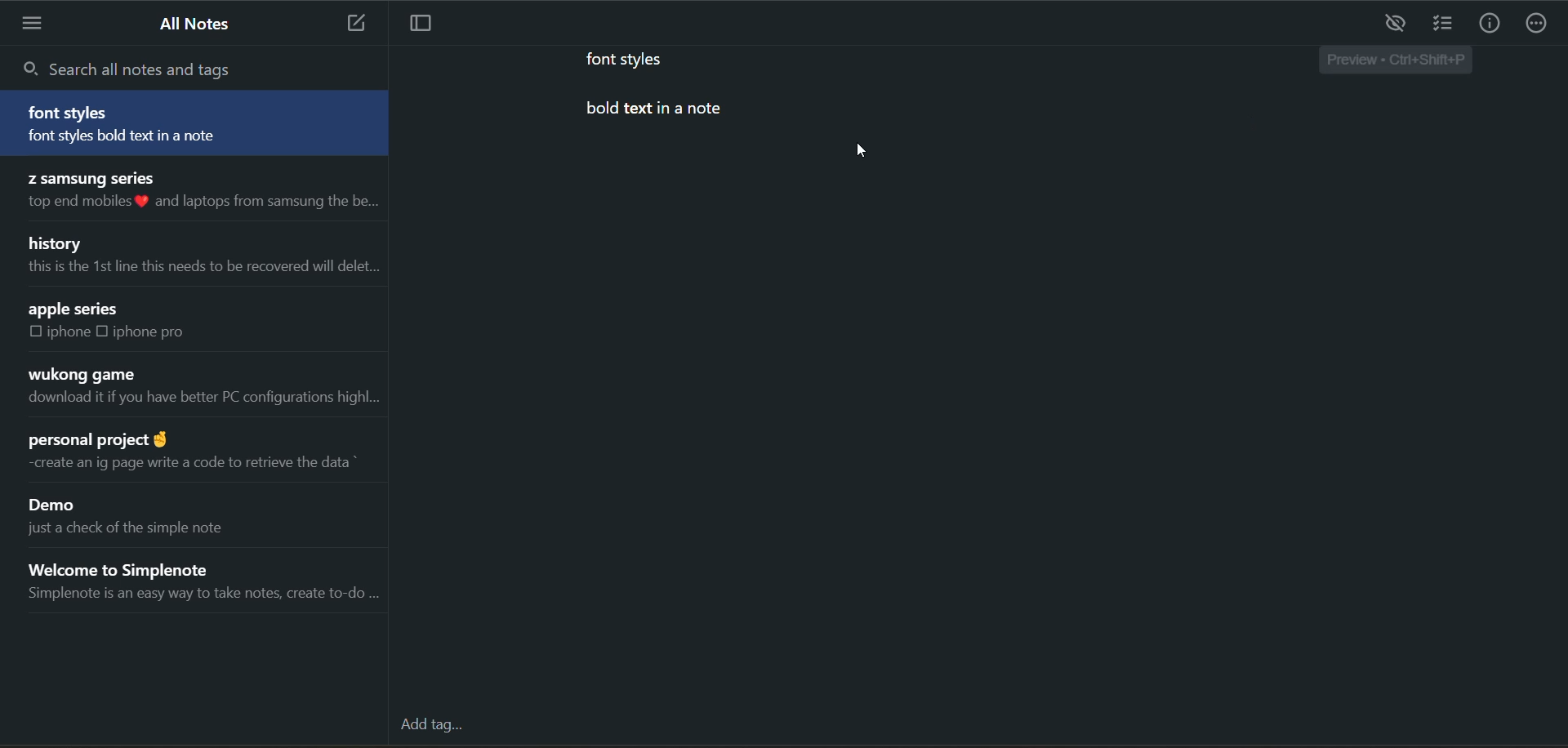 Image resolution: width=1568 pixels, height=748 pixels. I want to click on font styles, so click(636, 60).